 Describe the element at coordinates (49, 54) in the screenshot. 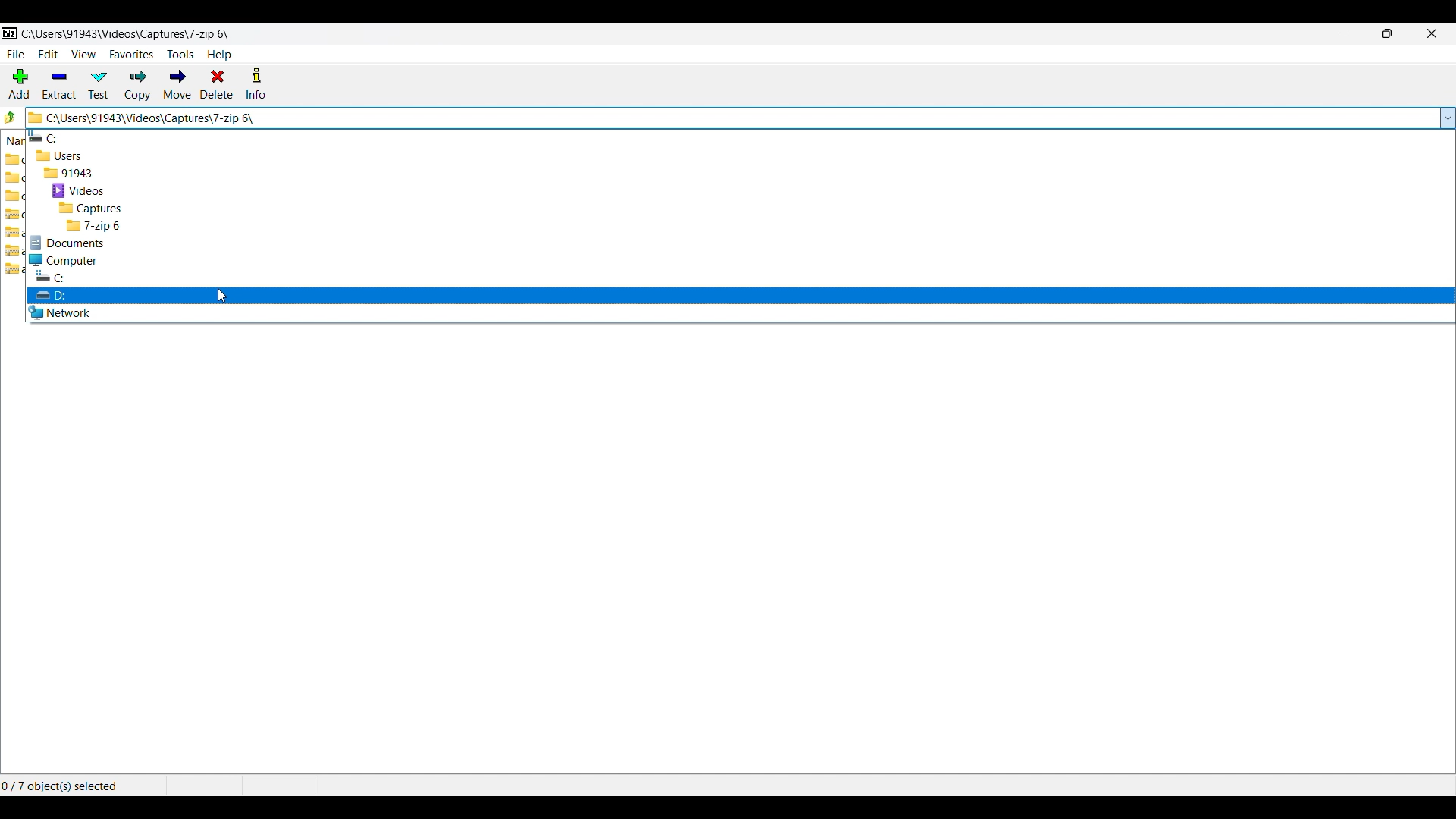

I see `Edit menu` at that location.